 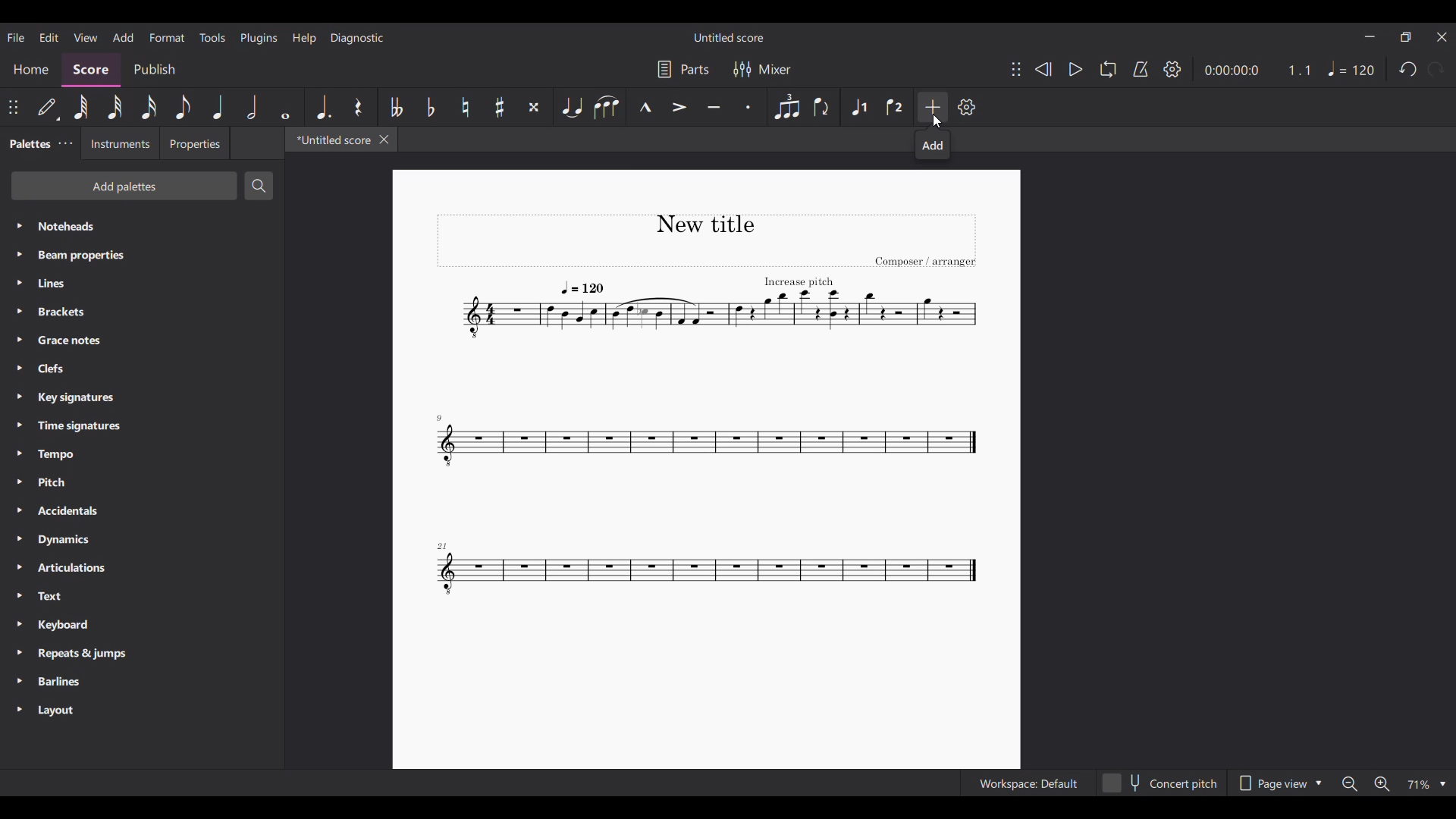 What do you see at coordinates (1230, 70) in the screenshot?
I see `Current duration` at bounding box center [1230, 70].